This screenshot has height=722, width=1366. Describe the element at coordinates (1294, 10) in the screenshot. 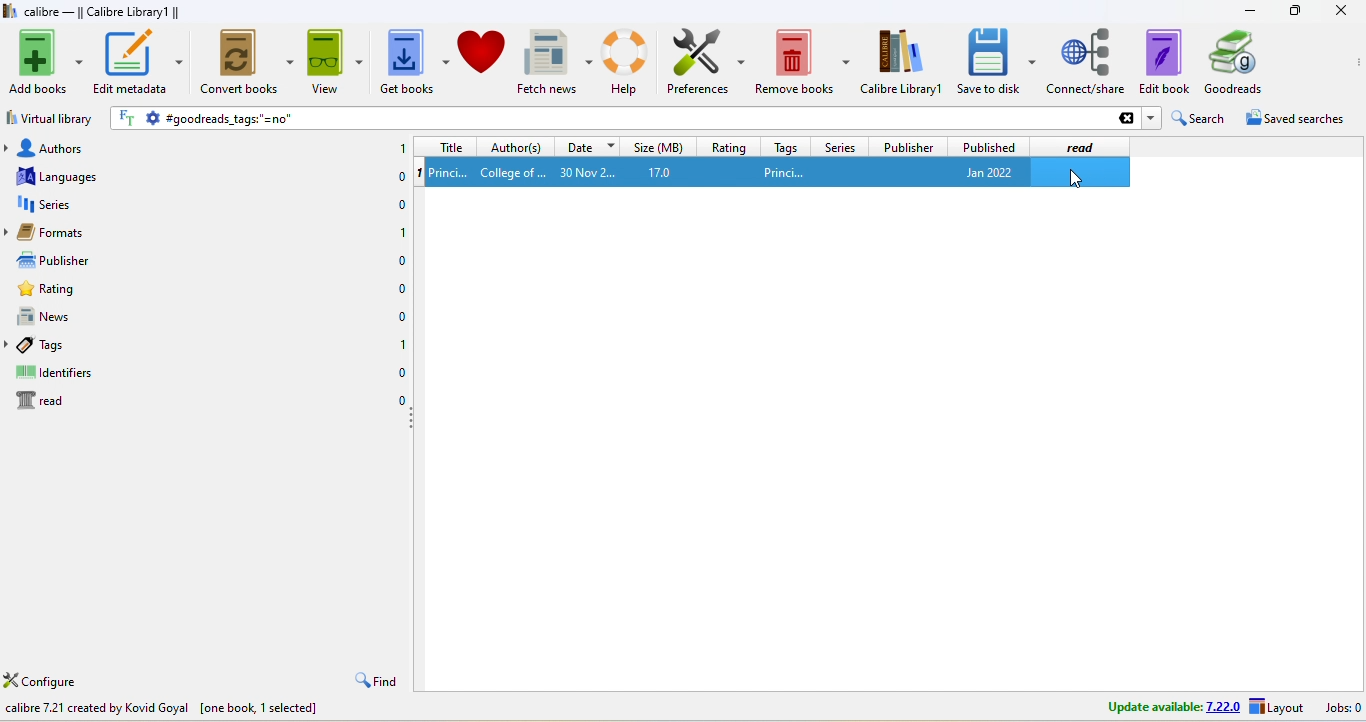

I see `resize` at that location.